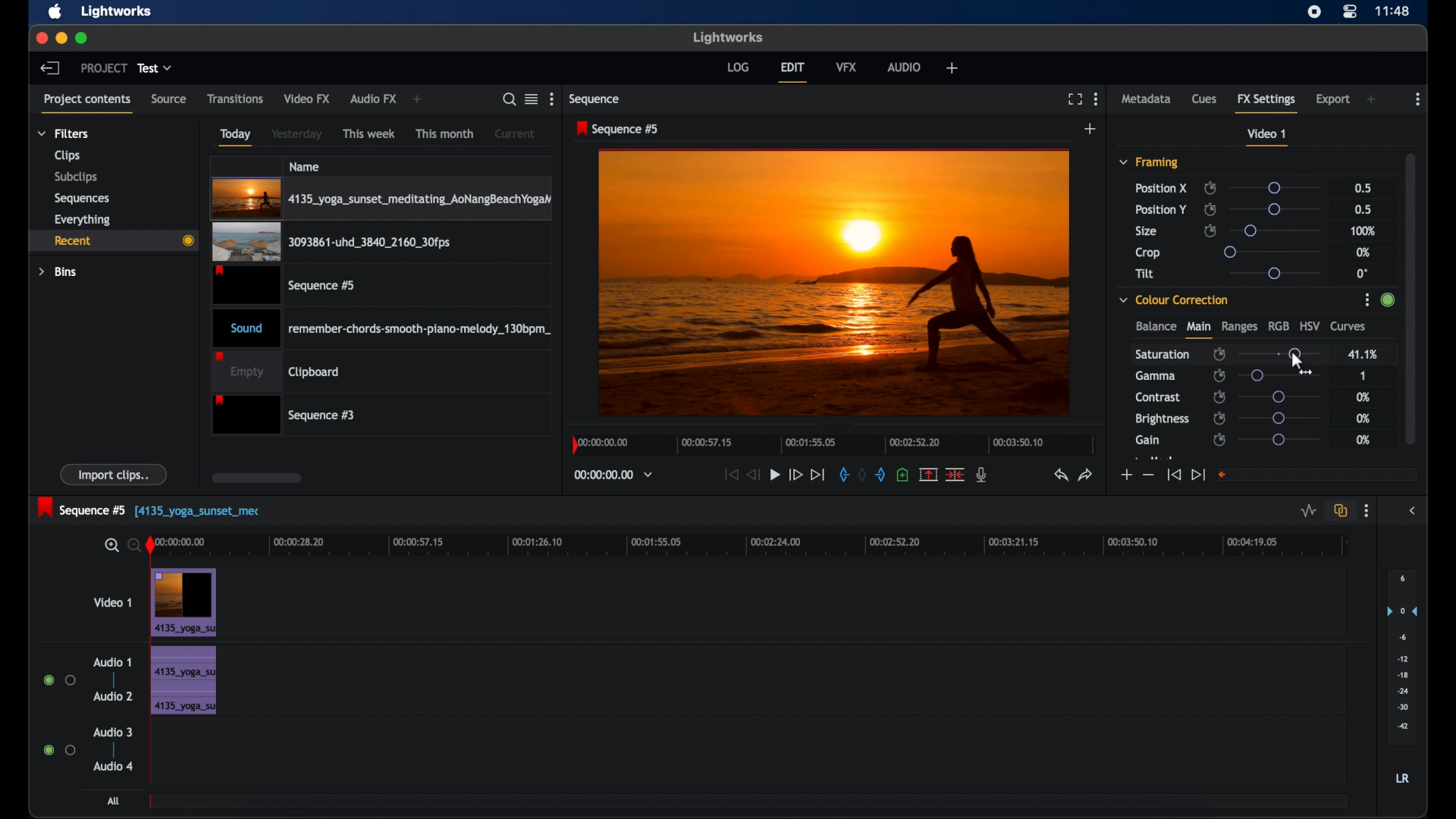 The width and height of the screenshot is (1456, 819). I want to click on enable/disable keyframes, so click(1210, 231).